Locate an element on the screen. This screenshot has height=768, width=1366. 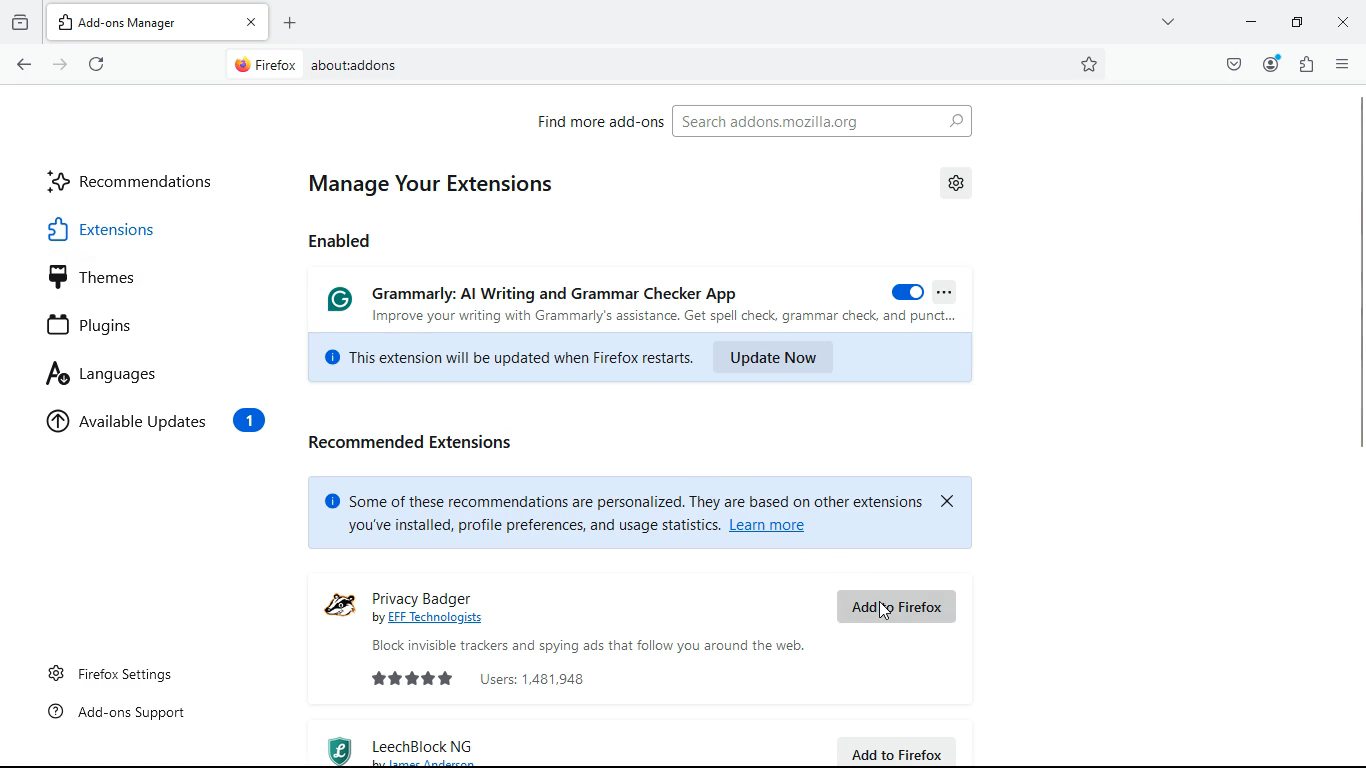
on is located at coordinates (908, 292).